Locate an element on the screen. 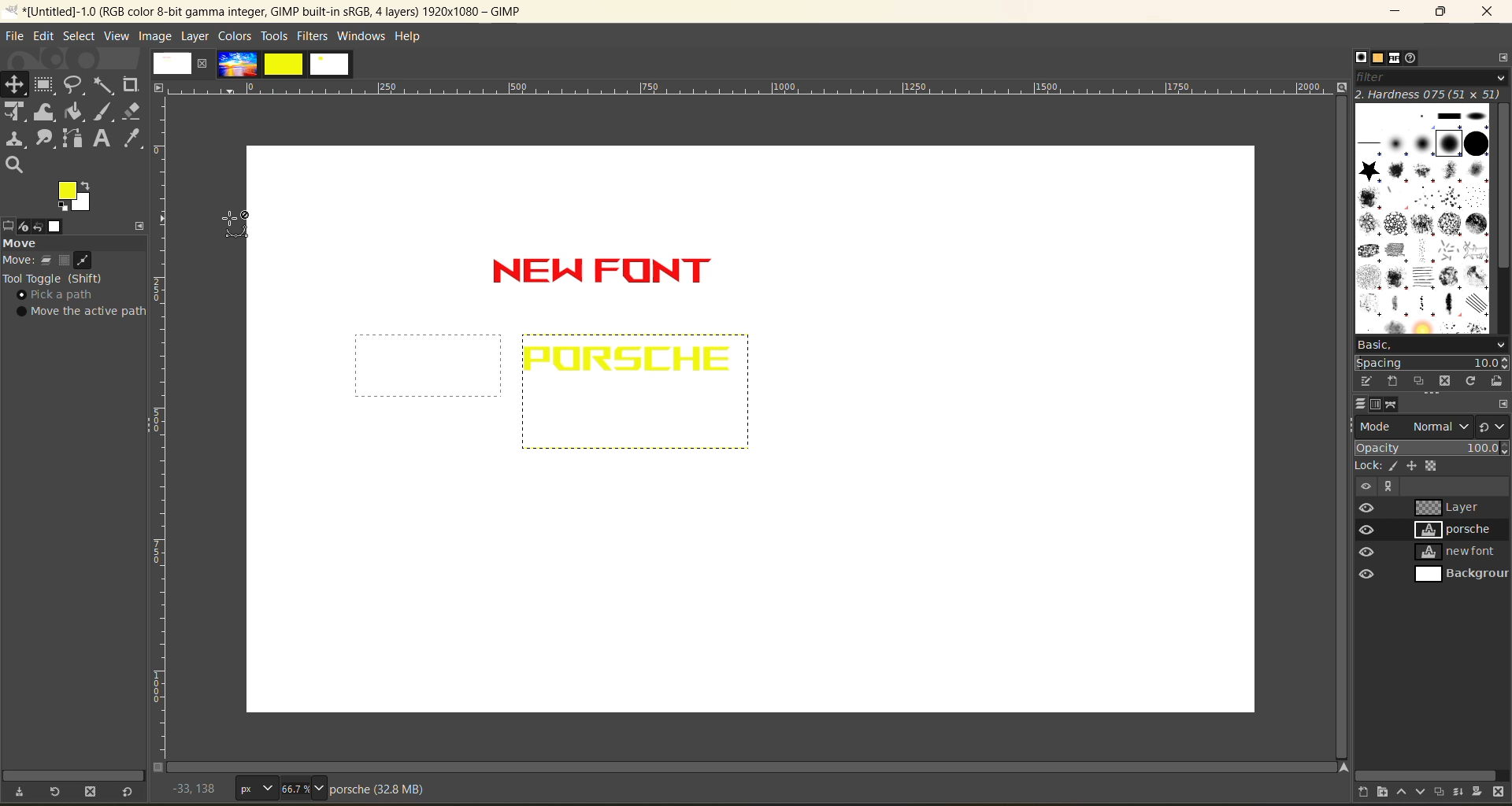 The image size is (1512, 806). fonts is located at coordinates (1397, 57).